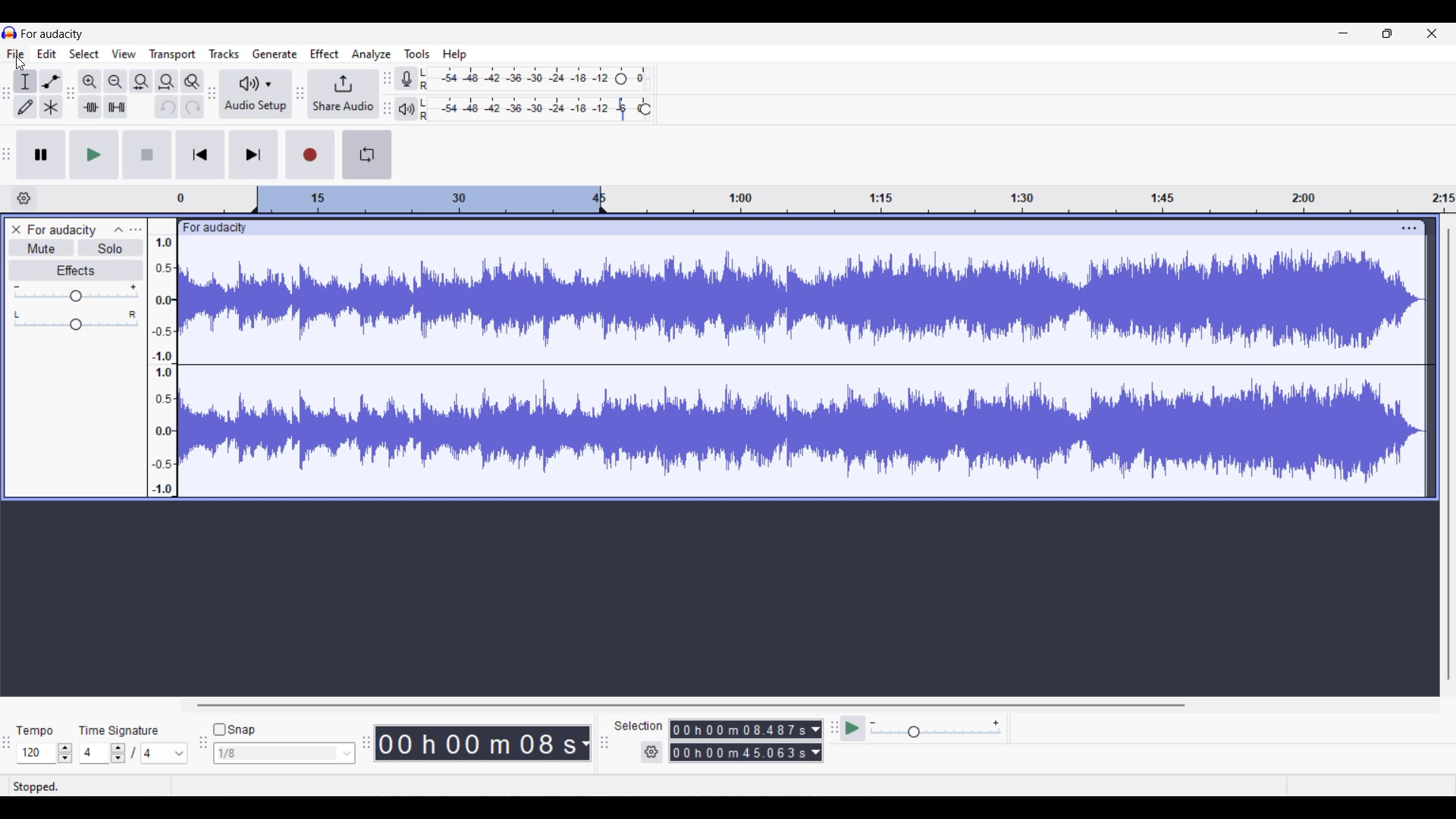 The width and height of the screenshot is (1456, 819). I want to click on Playback meter, so click(406, 109).